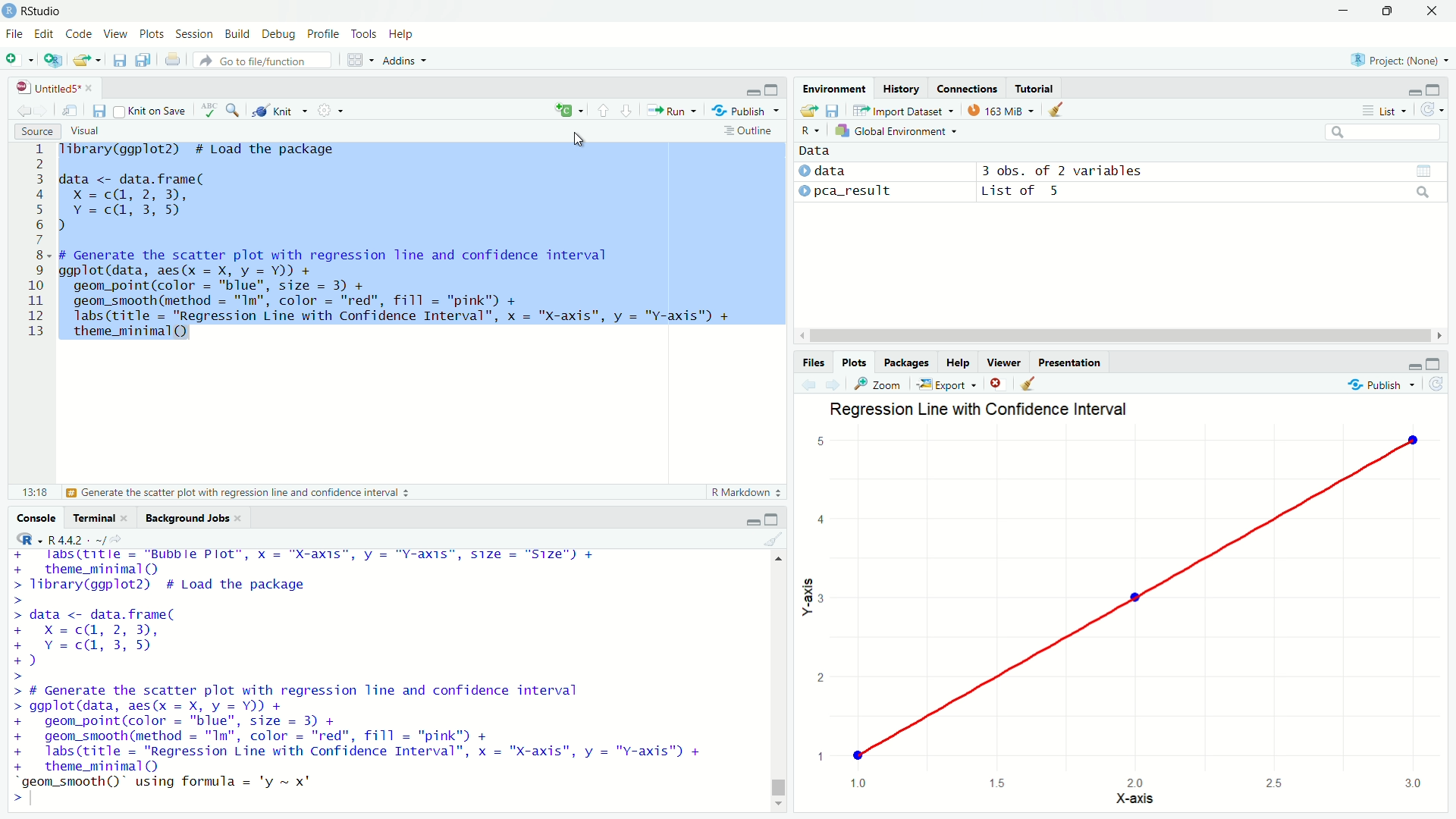 The image size is (1456, 819). What do you see at coordinates (772, 539) in the screenshot?
I see `Clear console` at bounding box center [772, 539].